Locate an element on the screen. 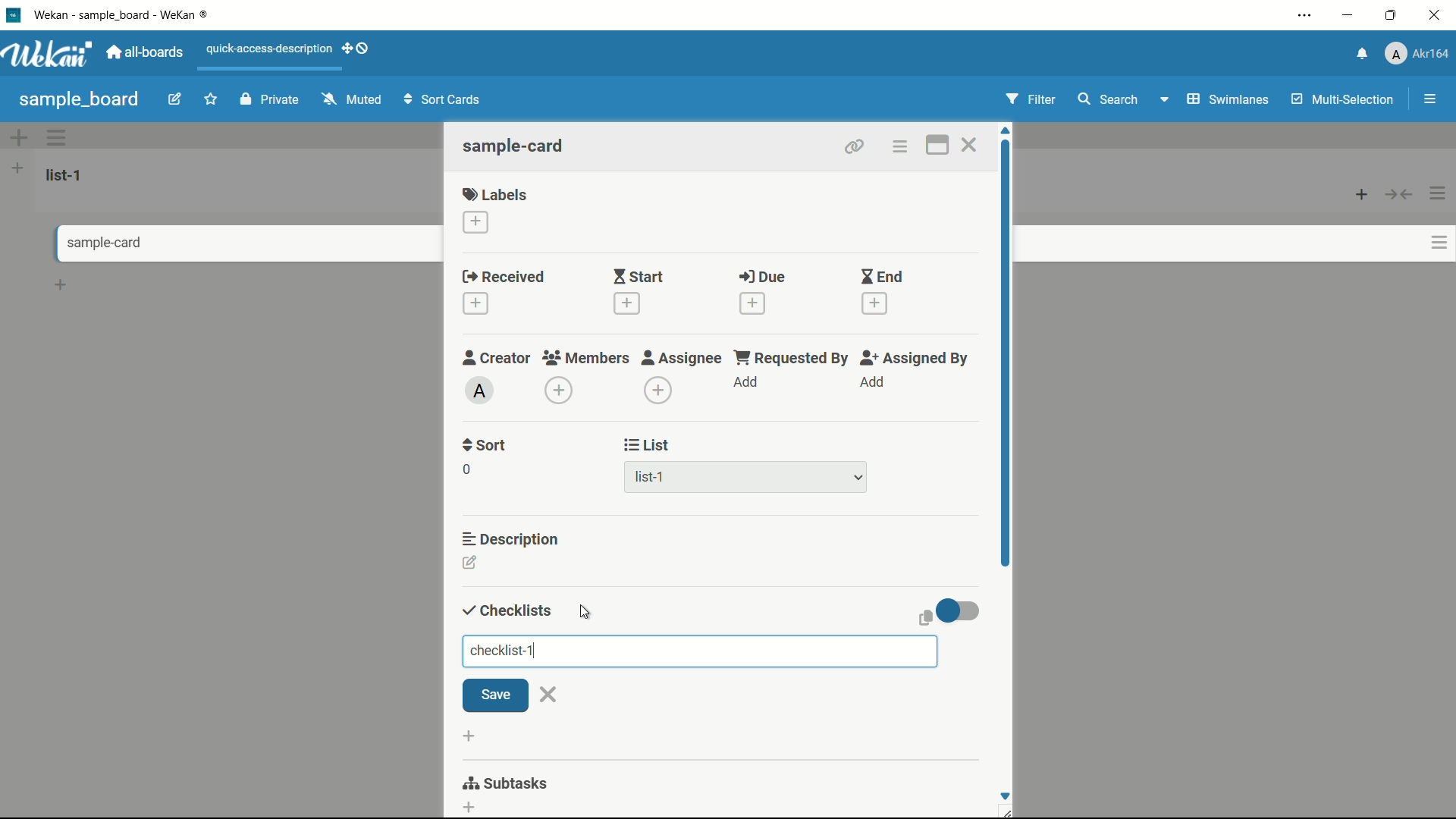  admin is located at coordinates (480, 391).